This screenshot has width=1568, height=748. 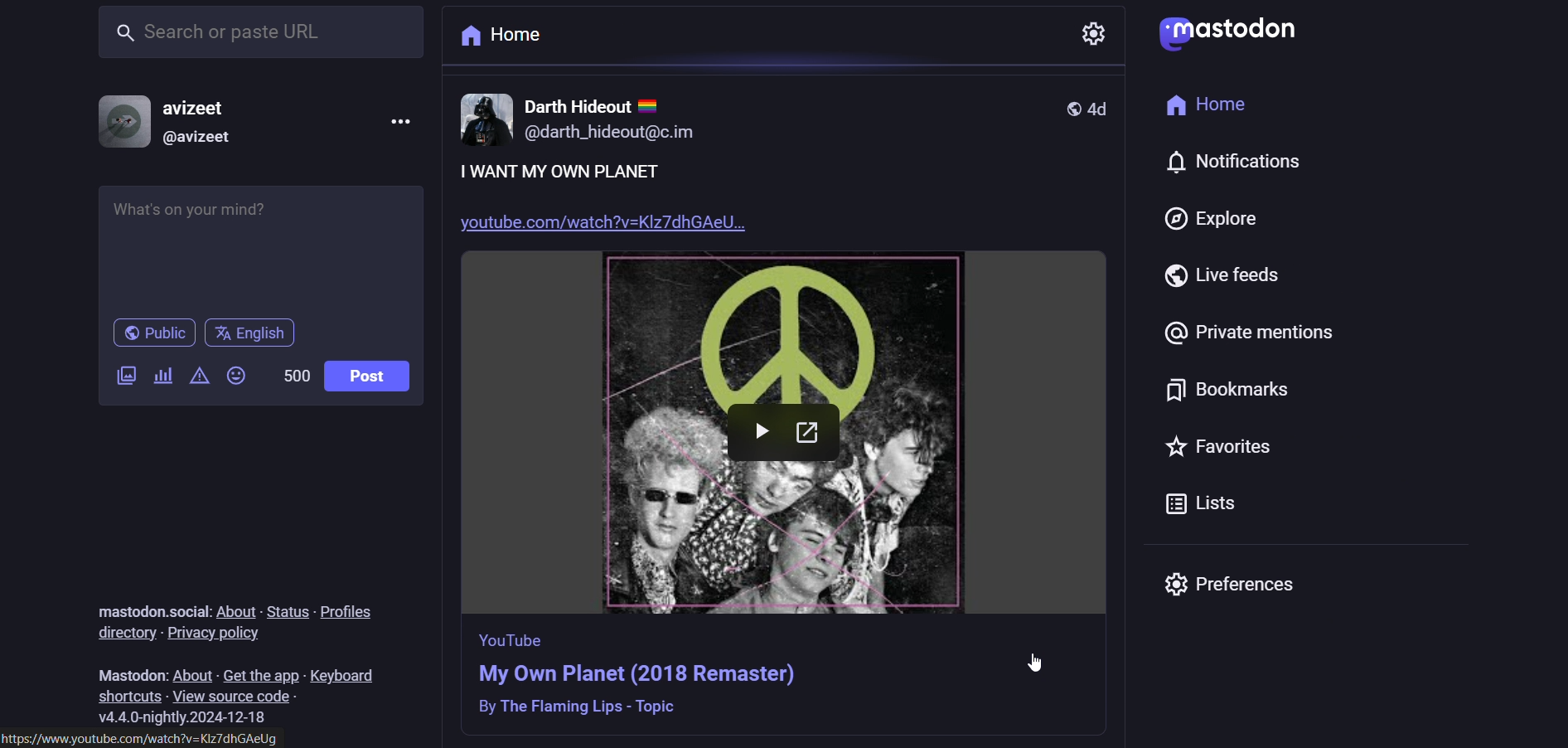 I want to click on I want my own planet, so click(x=565, y=174).